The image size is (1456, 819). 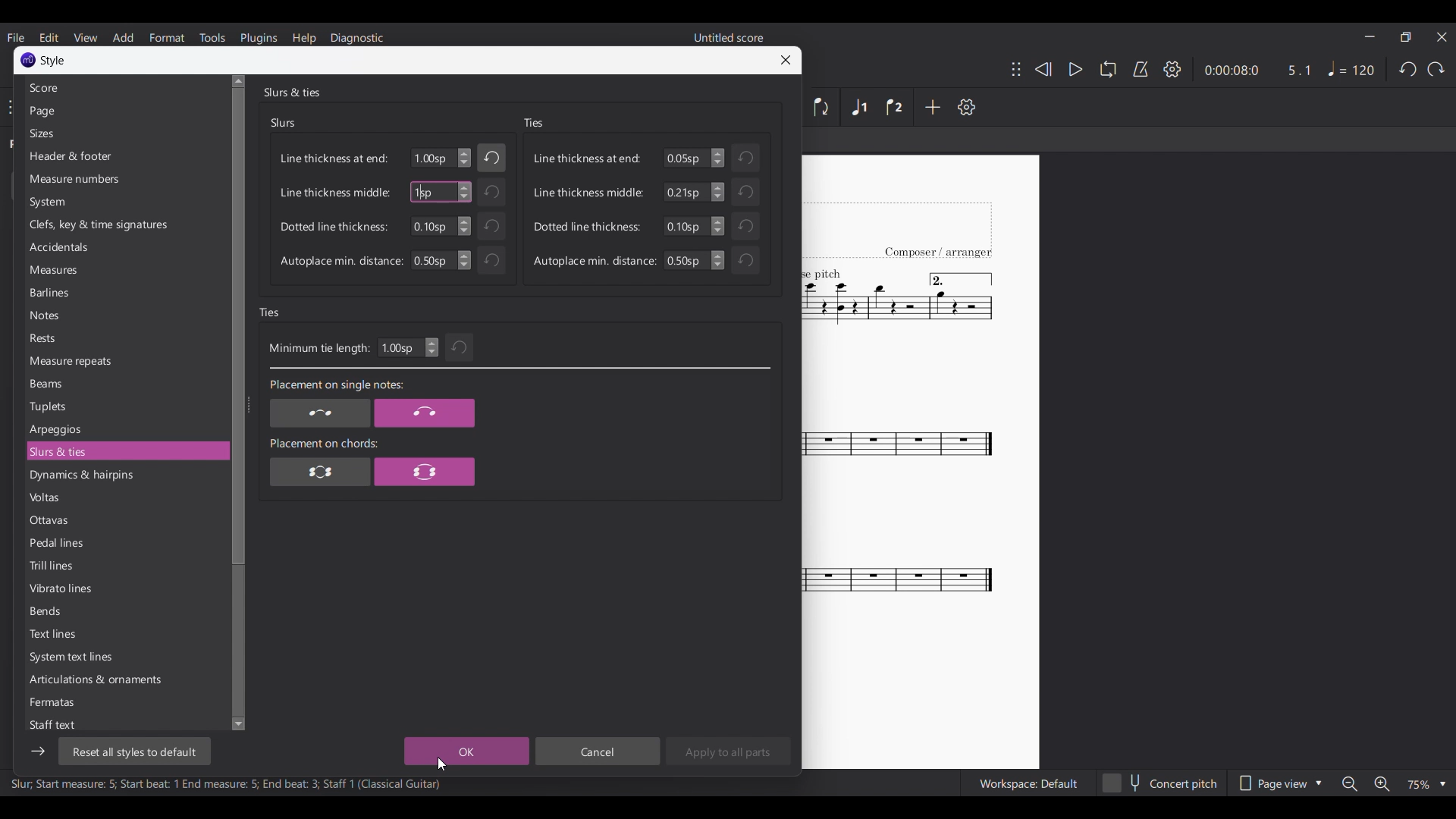 What do you see at coordinates (259, 37) in the screenshot?
I see `Plugins menu` at bounding box center [259, 37].